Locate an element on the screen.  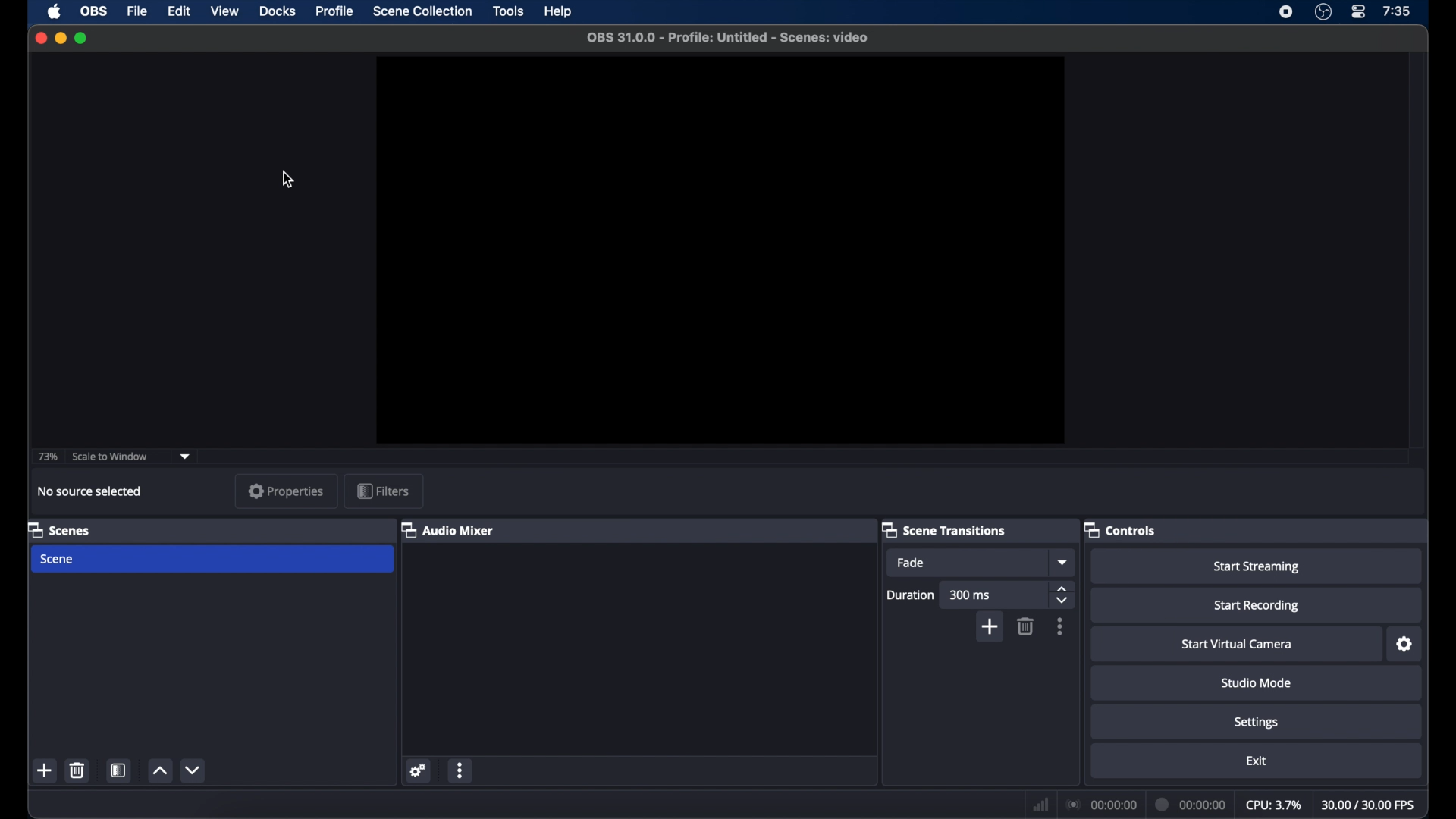
decrement is located at coordinates (194, 772).